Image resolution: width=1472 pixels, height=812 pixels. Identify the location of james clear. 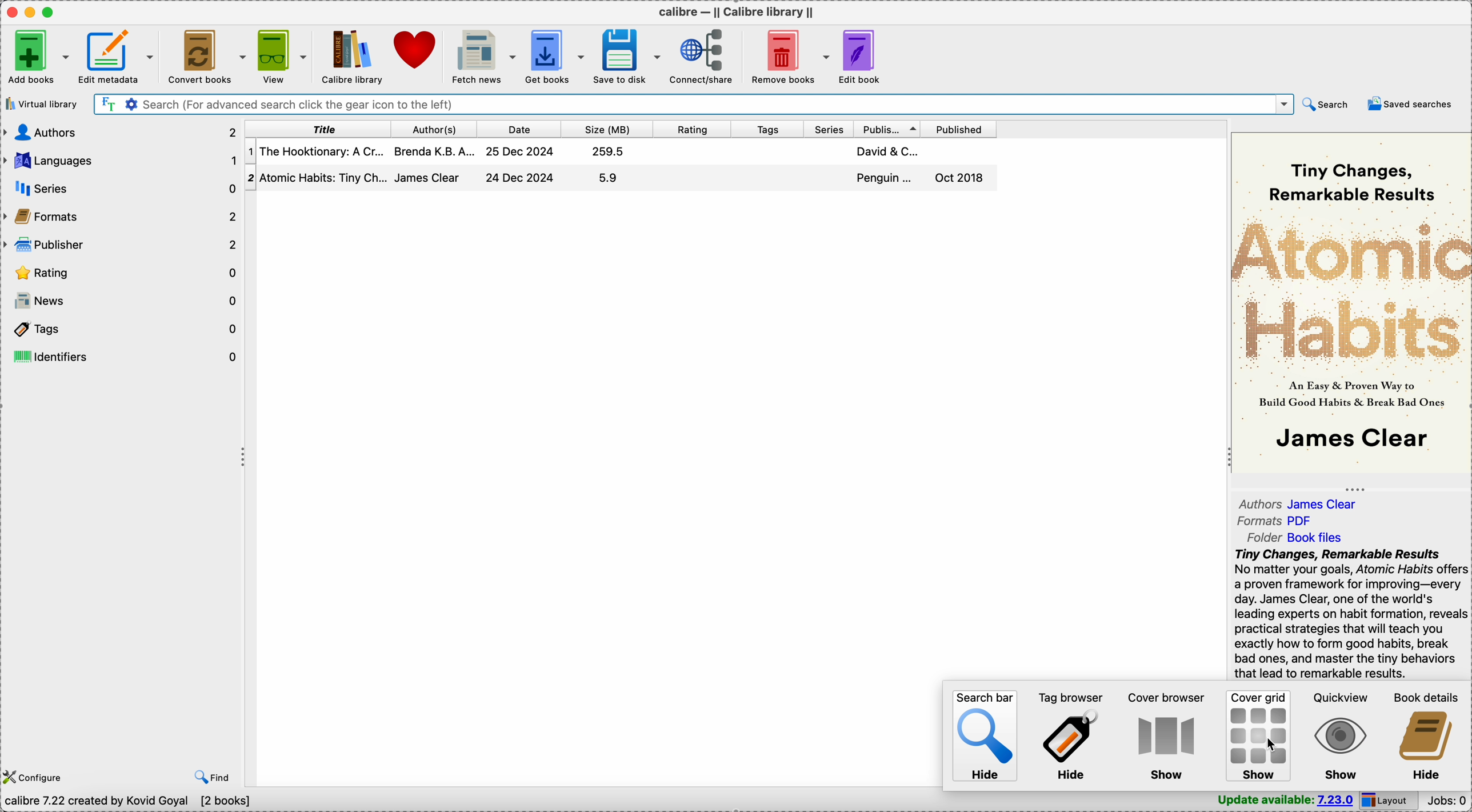
(428, 178).